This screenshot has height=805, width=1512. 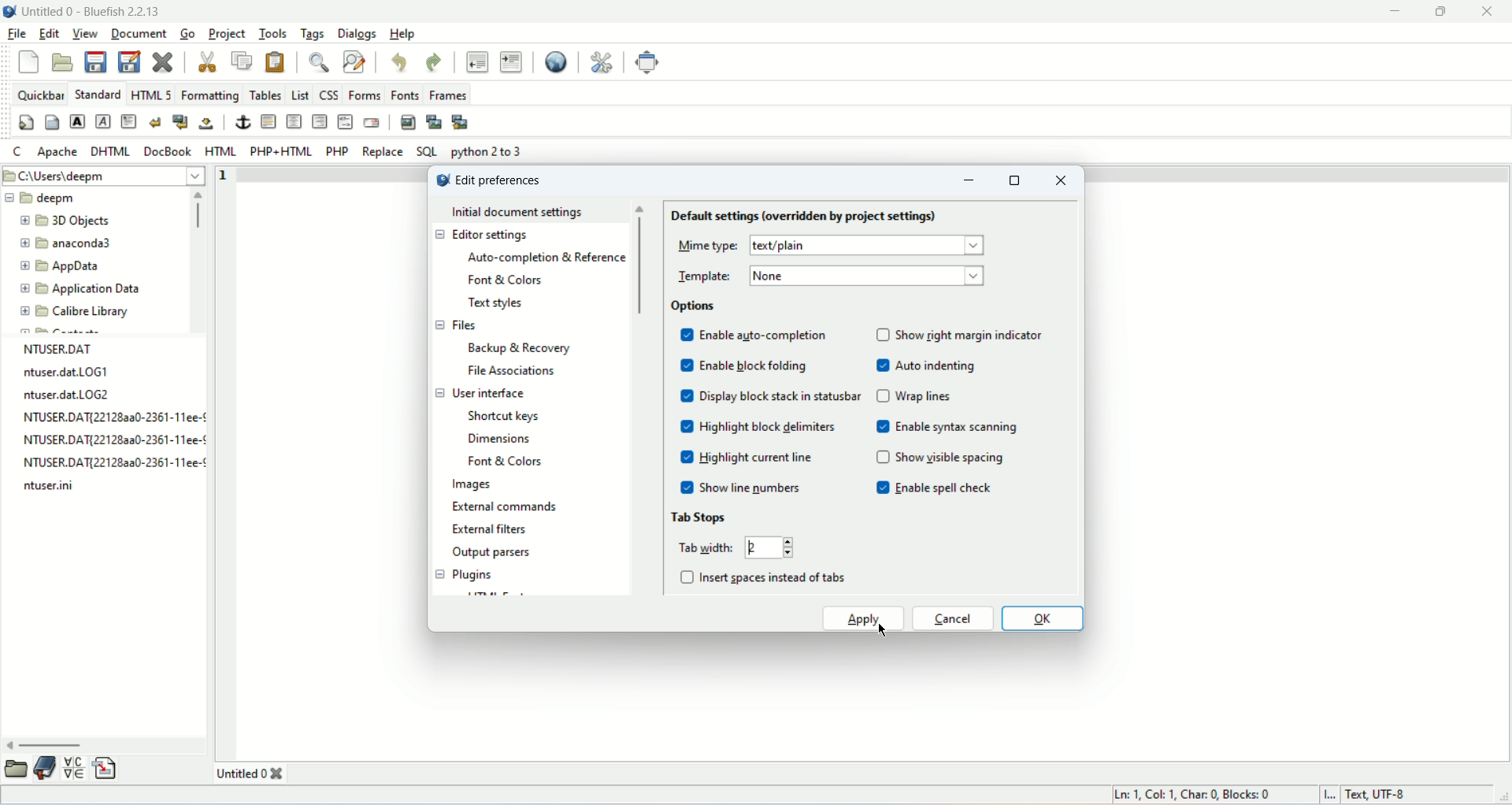 I want to click on cursor, so click(x=884, y=627).